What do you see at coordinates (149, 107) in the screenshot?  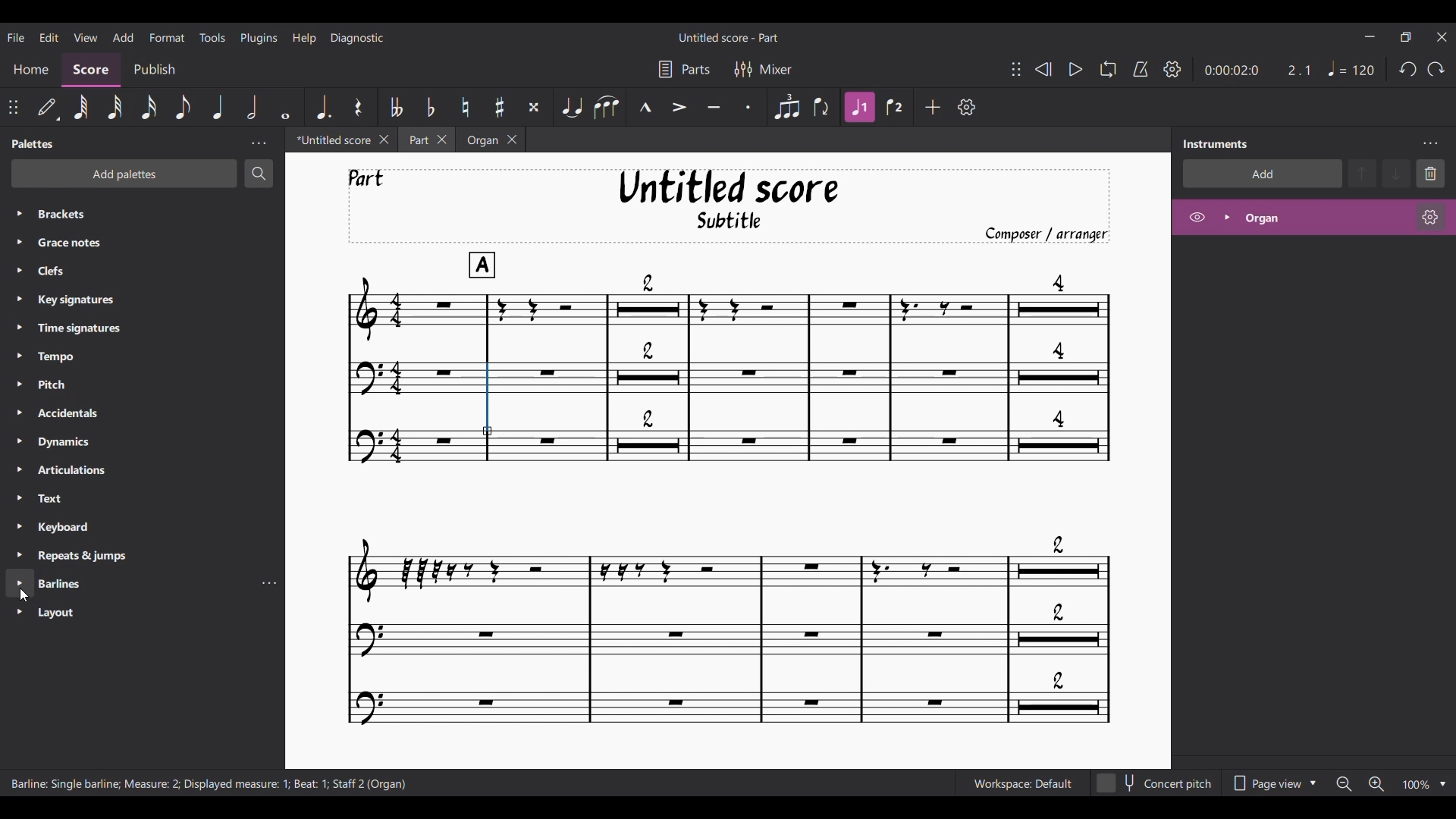 I see `16th note` at bounding box center [149, 107].